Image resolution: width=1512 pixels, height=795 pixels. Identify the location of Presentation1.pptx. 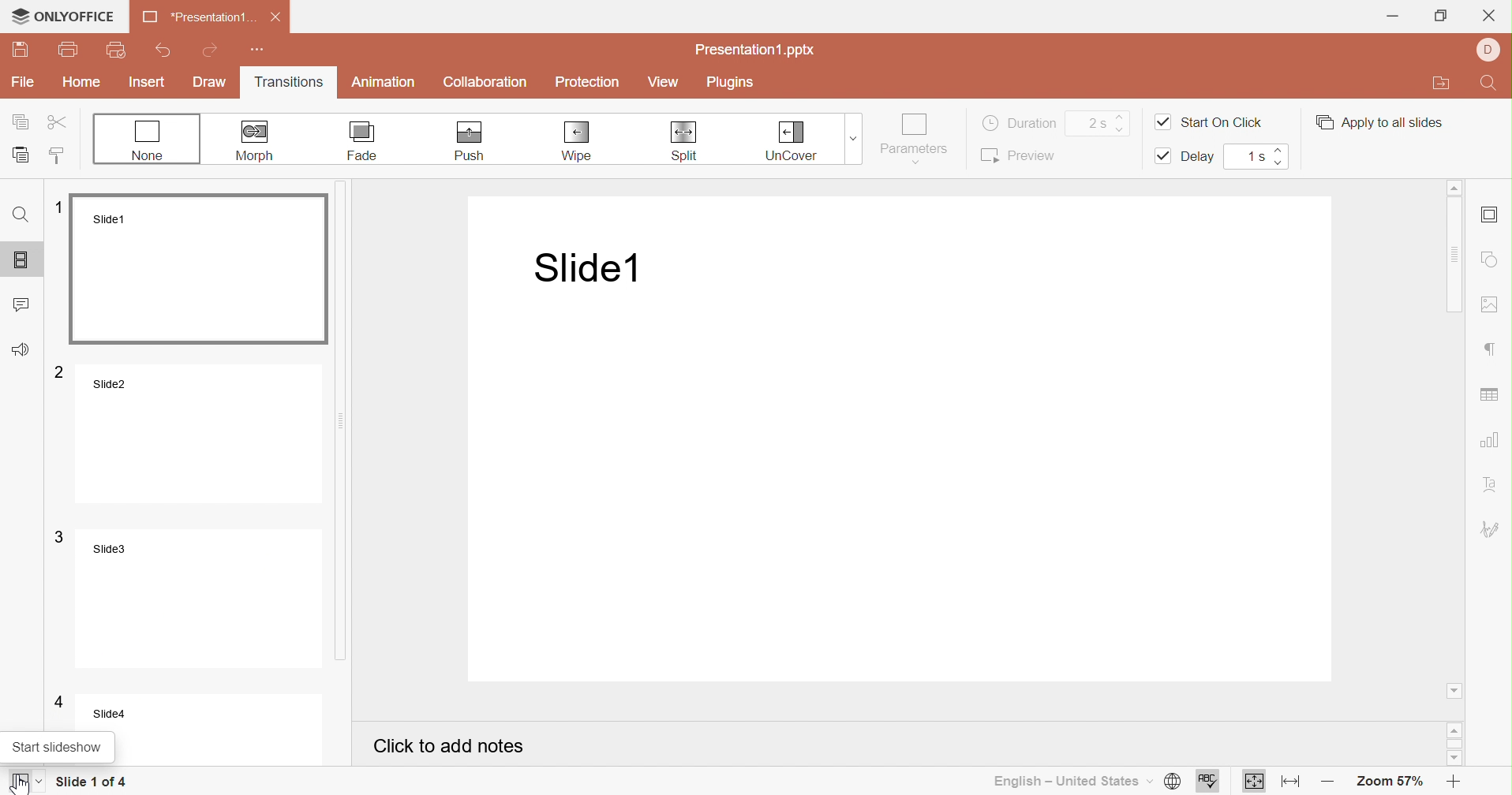
(756, 52).